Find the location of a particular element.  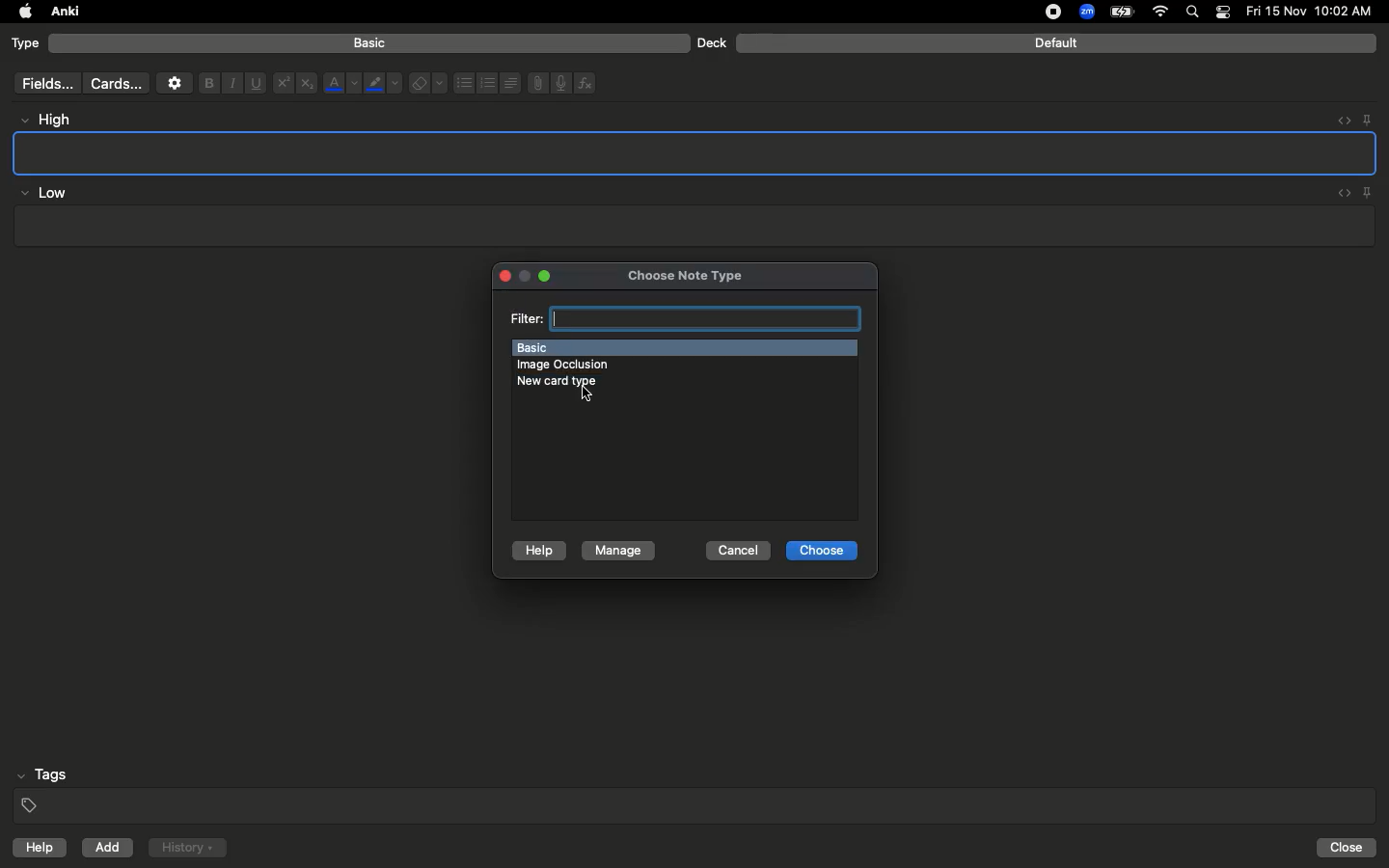

date and time is located at coordinates (1315, 11).